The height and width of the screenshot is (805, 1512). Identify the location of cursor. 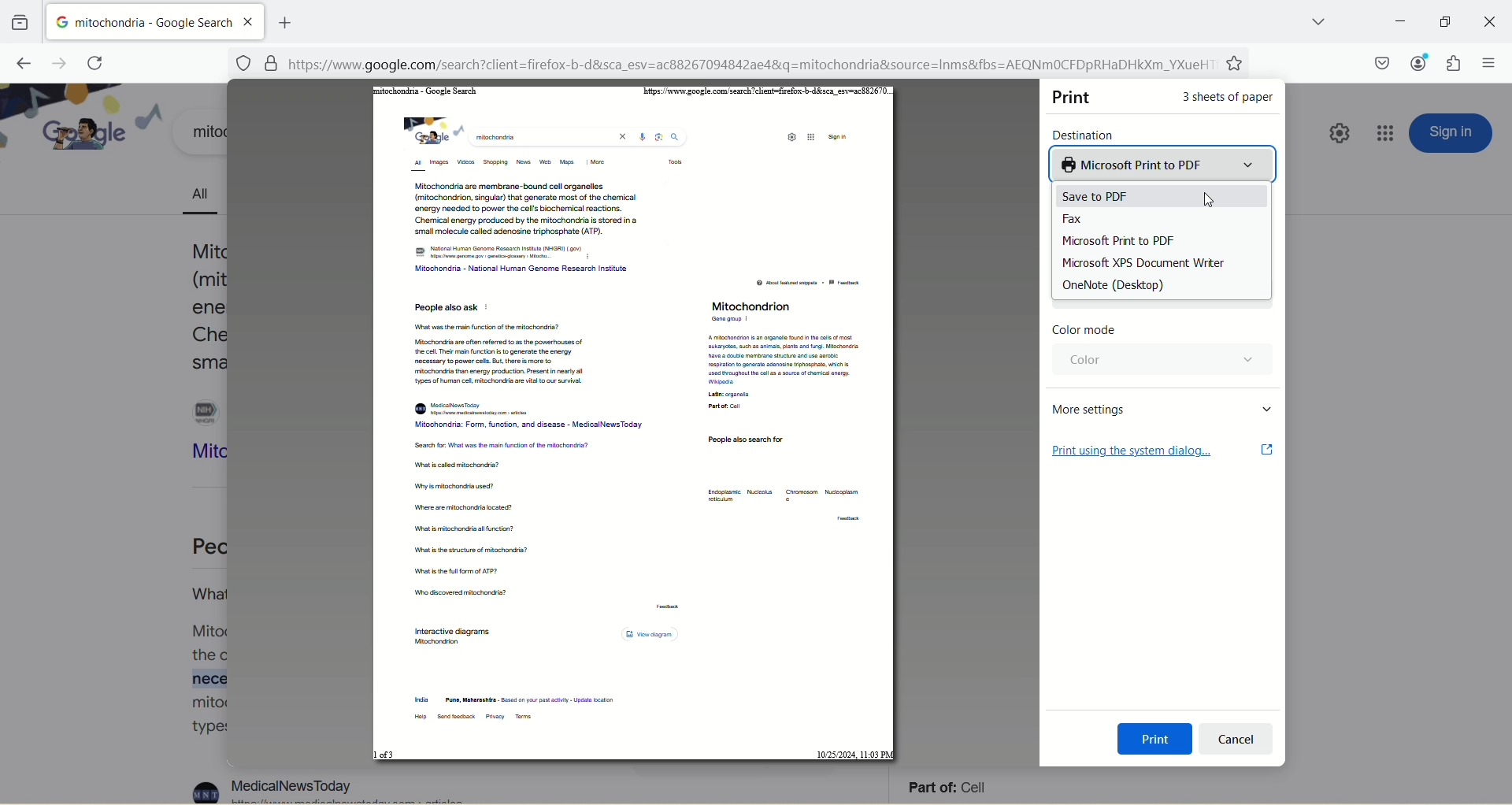
(1207, 200).